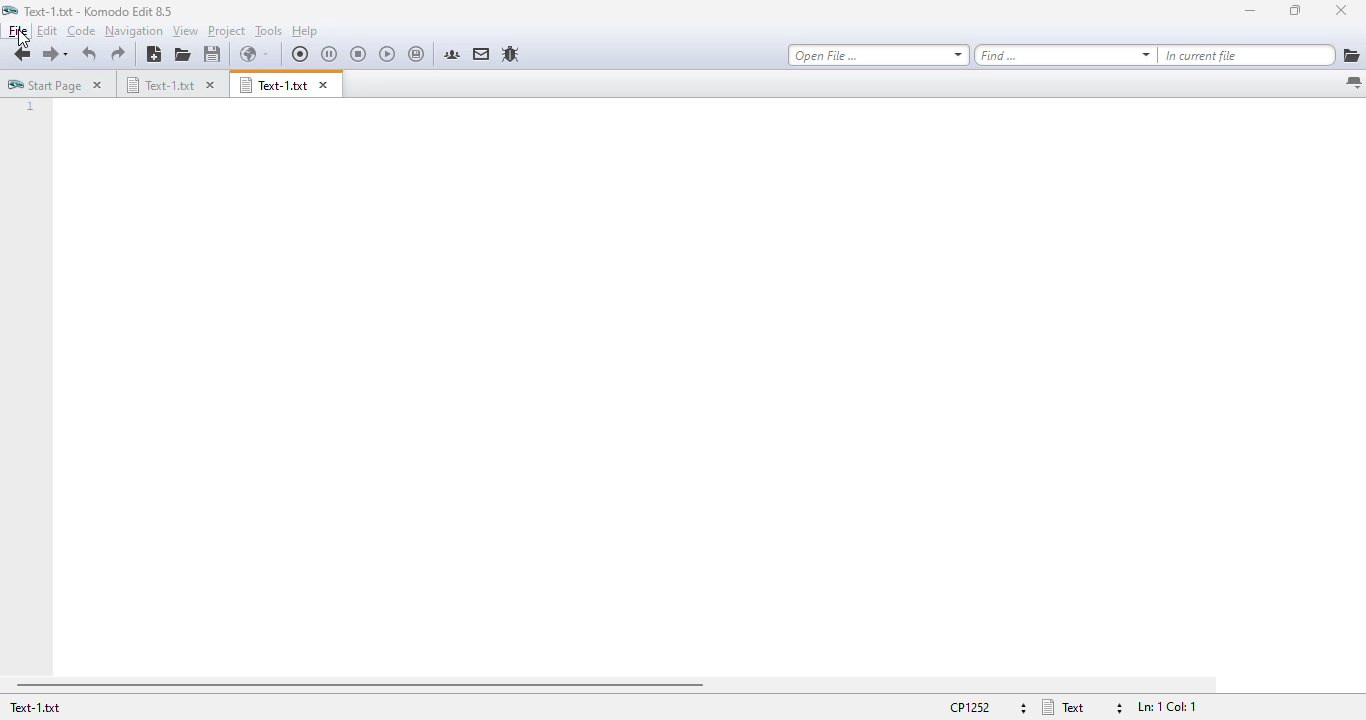 The width and height of the screenshot is (1366, 720). I want to click on in current file, so click(1247, 55).